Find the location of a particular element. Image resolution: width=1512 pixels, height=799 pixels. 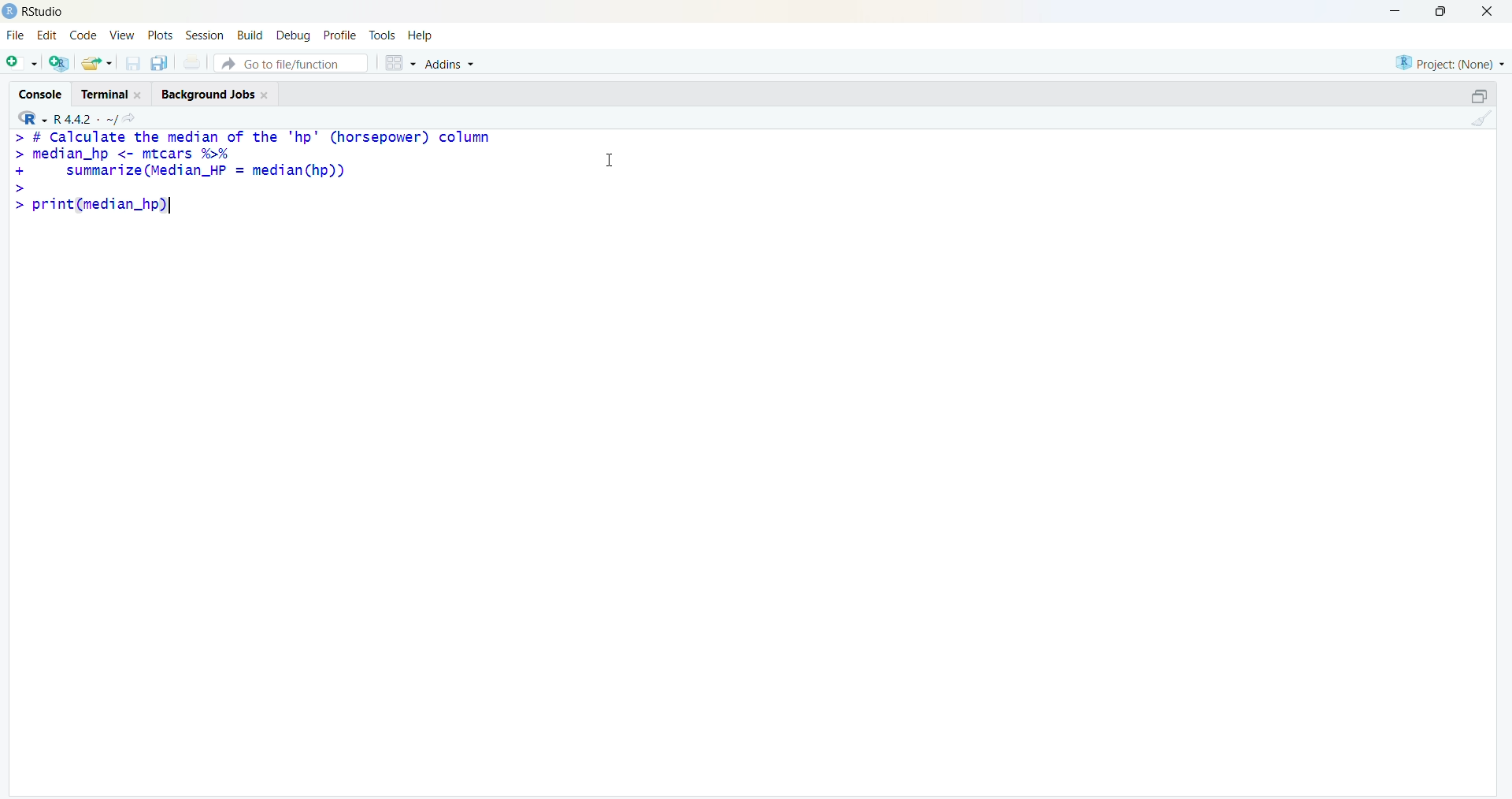

debug is located at coordinates (293, 37).